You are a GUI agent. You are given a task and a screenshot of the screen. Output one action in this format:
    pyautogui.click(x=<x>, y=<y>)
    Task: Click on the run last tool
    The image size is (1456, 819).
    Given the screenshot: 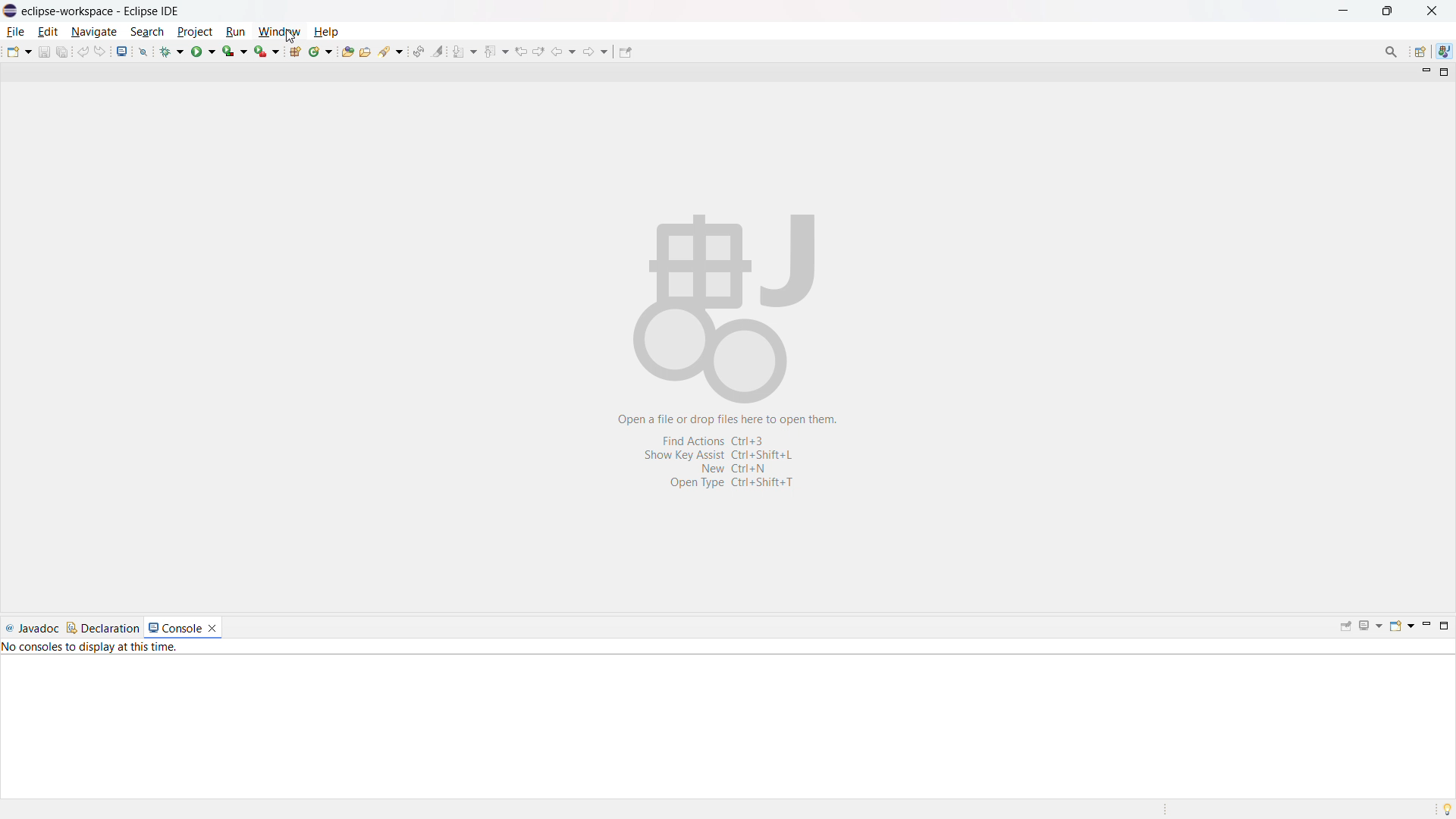 What is the action you would take?
    pyautogui.click(x=266, y=51)
    